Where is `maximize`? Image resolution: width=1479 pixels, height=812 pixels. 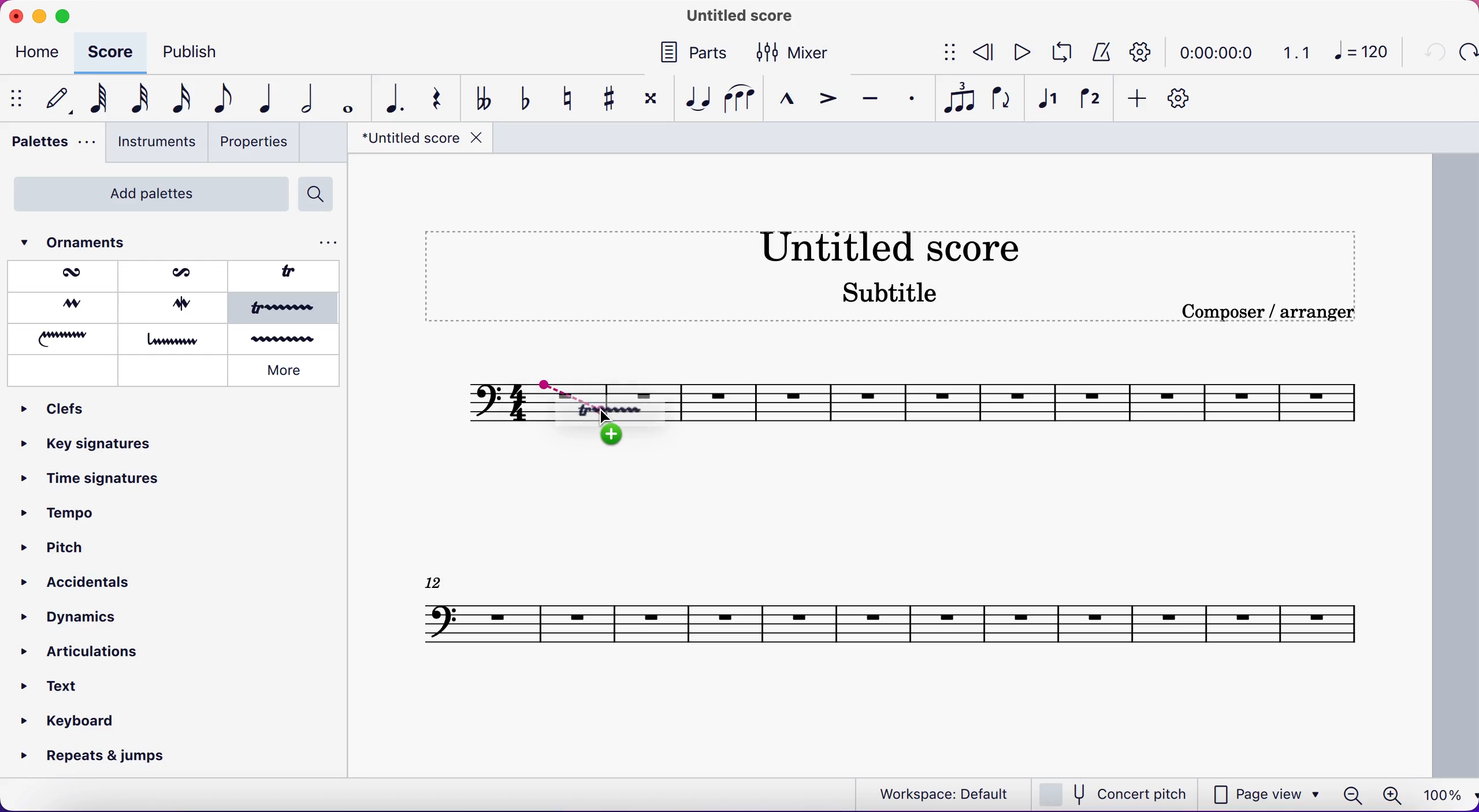
maximize is located at coordinates (64, 16).